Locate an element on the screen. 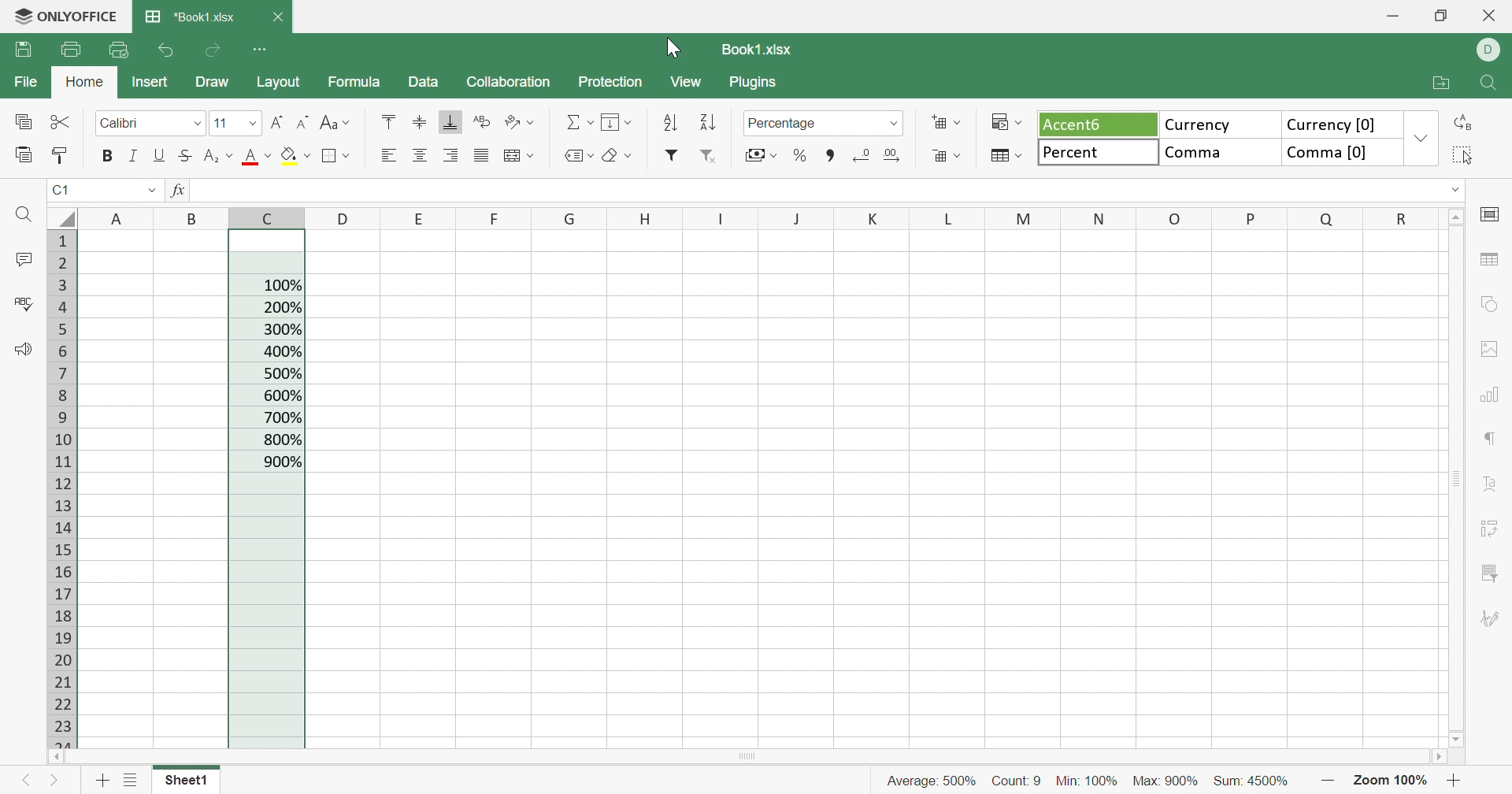 This screenshot has height=794, width=1512. List of sheets is located at coordinates (131, 778).